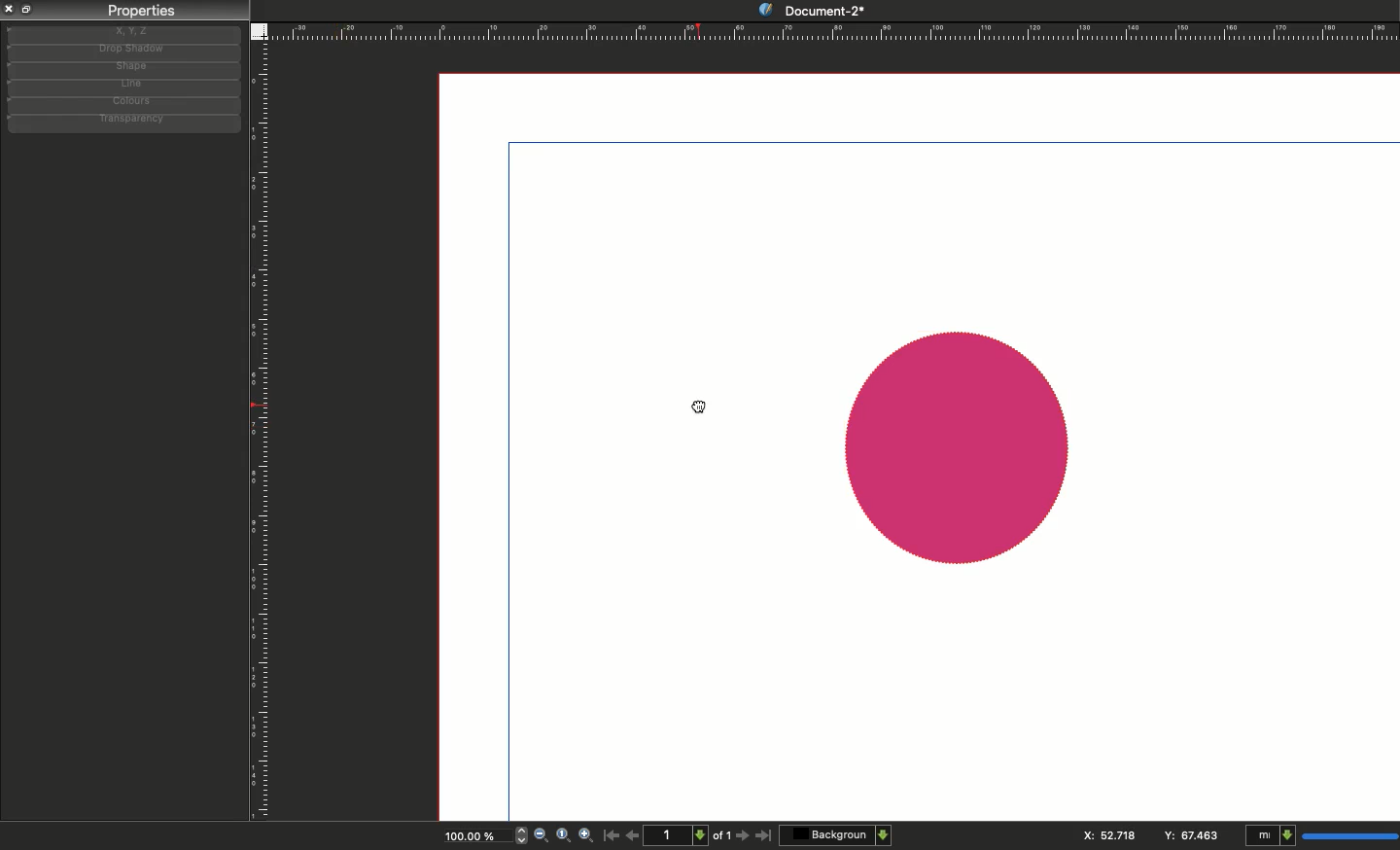 The image size is (1400, 850). What do you see at coordinates (833, 31) in the screenshot?
I see `Ruler` at bounding box center [833, 31].